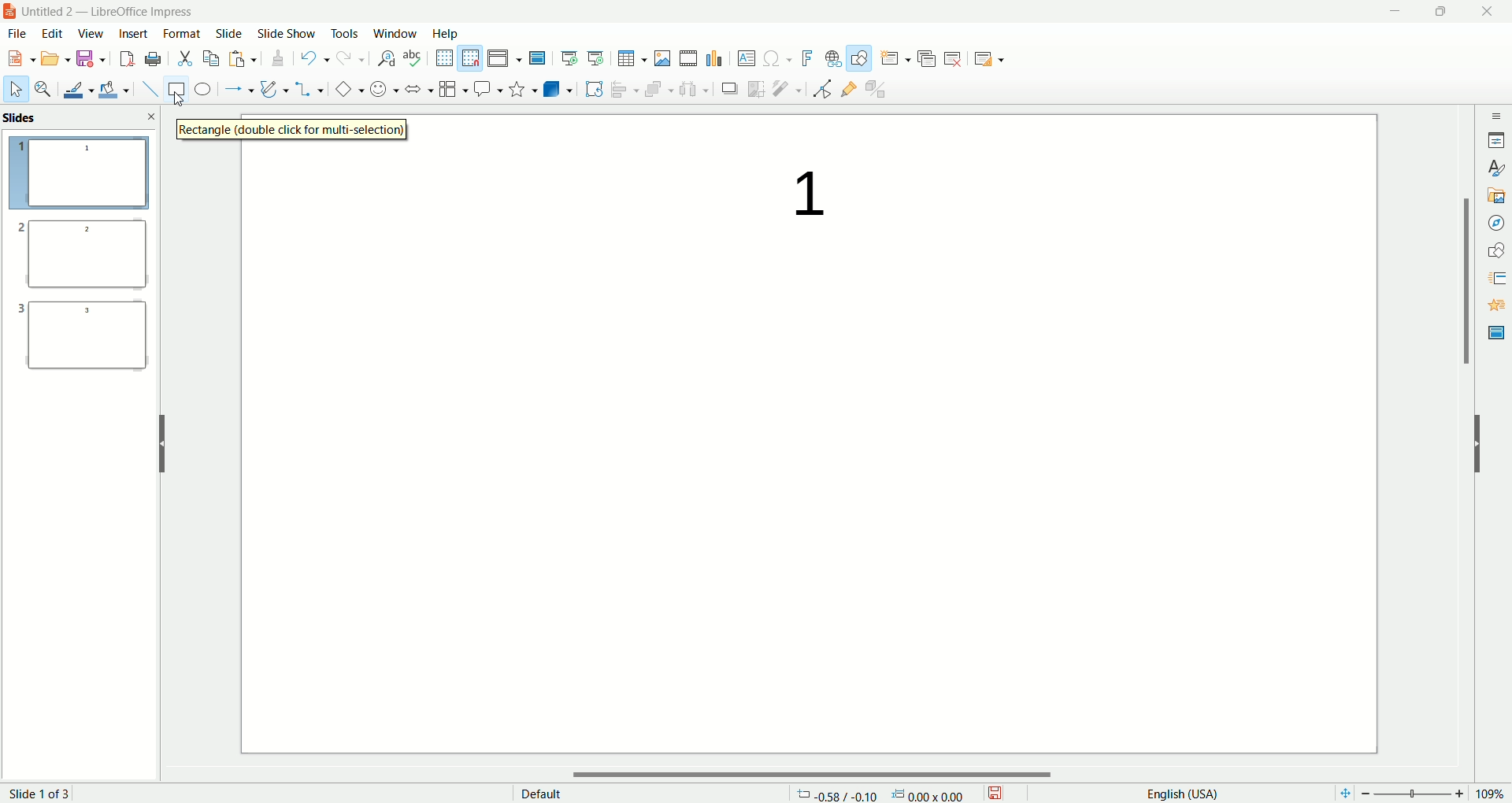 The image size is (1512, 803). I want to click on insert, so click(132, 34).